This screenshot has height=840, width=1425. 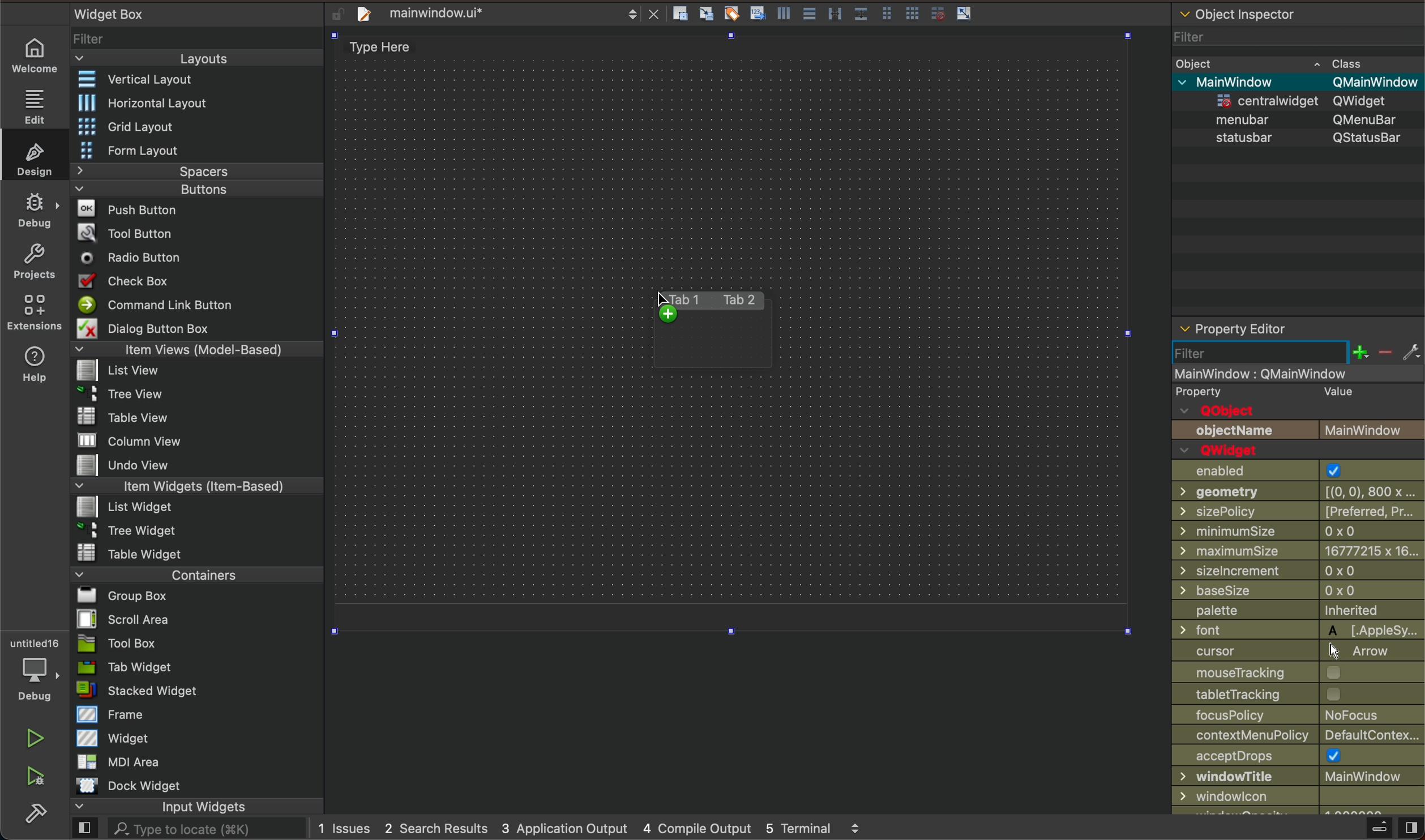 What do you see at coordinates (1300, 716) in the screenshot?
I see `focus` at bounding box center [1300, 716].